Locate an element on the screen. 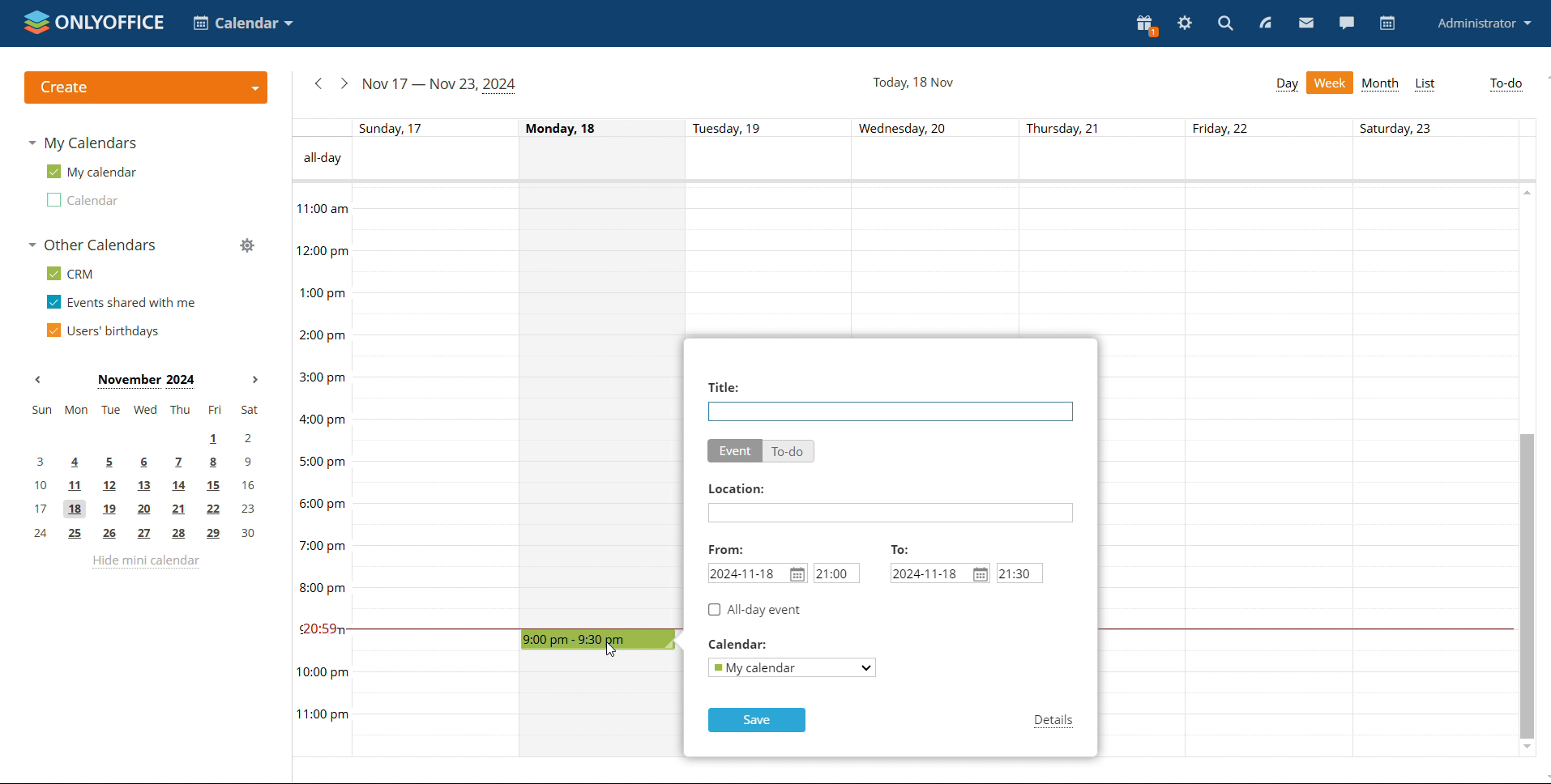  cursor is located at coordinates (611, 648).